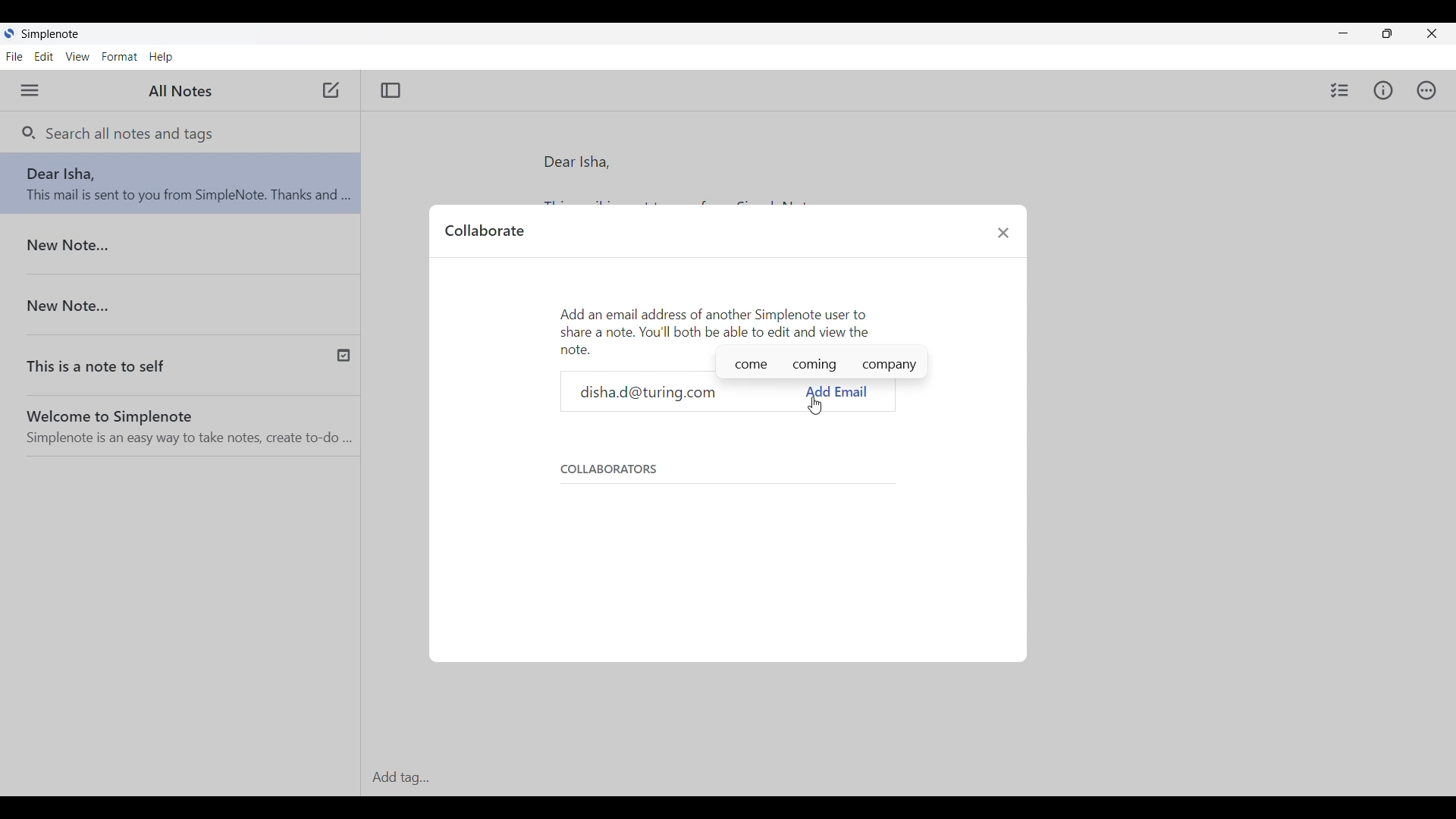 Image resolution: width=1456 pixels, height=819 pixels. Describe the element at coordinates (162, 57) in the screenshot. I see `Help` at that location.